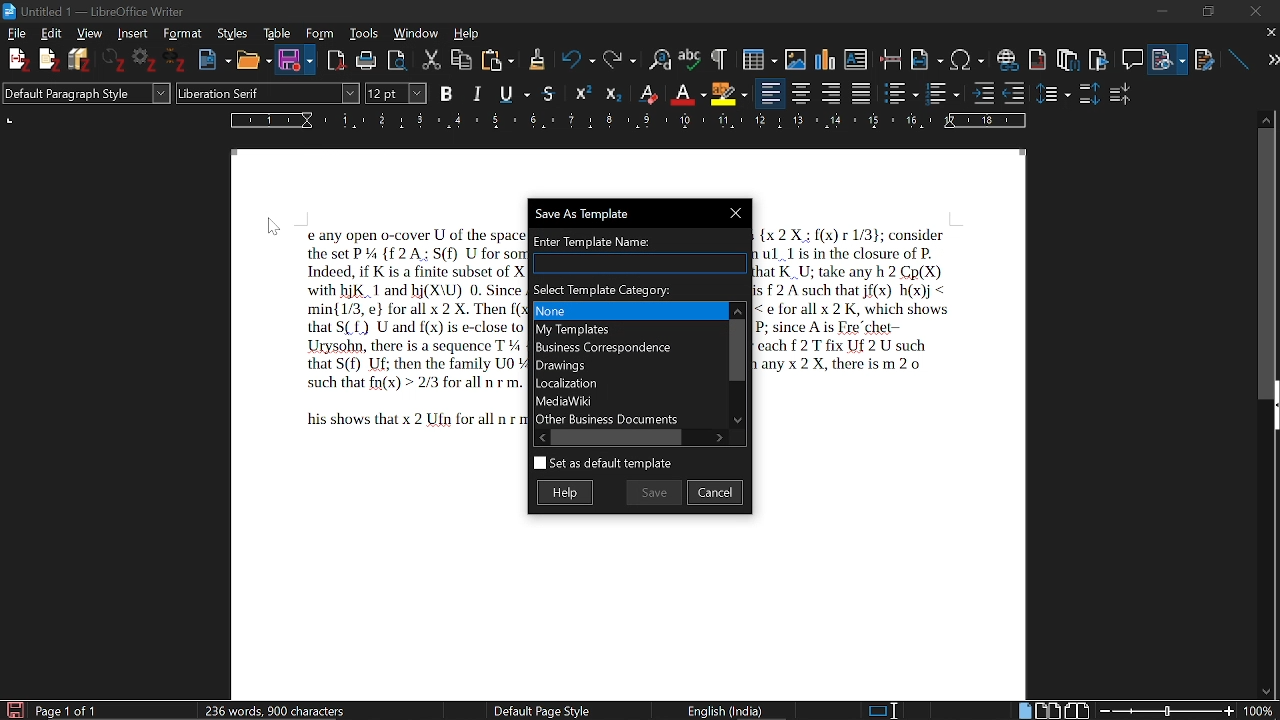  Describe the element at coordinates (337, 57) in the screenshot. I see `Import as pdf` at that location.